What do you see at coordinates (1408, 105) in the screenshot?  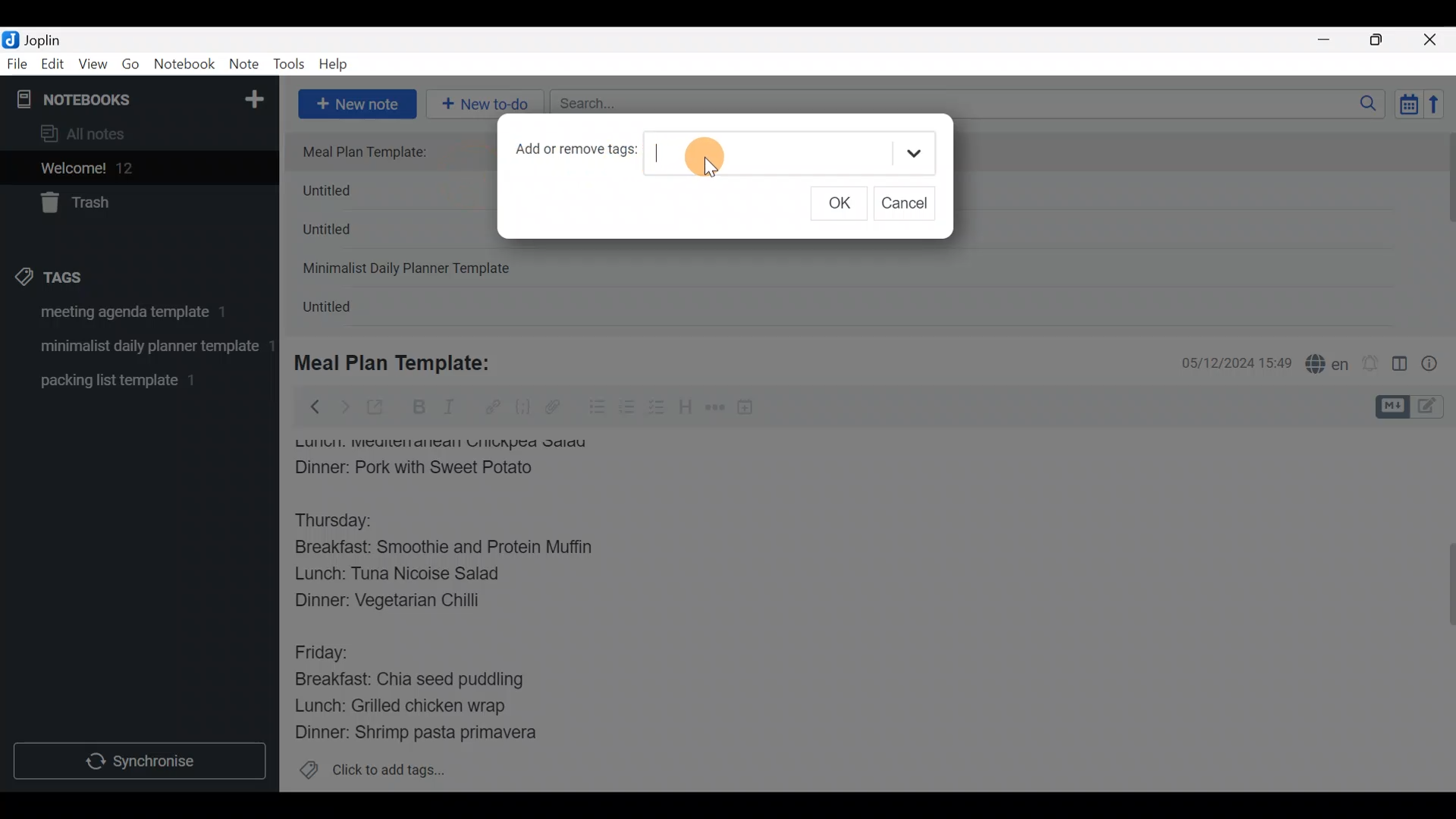 I see `Toggle sort order` at bounding box center [1408, 105].